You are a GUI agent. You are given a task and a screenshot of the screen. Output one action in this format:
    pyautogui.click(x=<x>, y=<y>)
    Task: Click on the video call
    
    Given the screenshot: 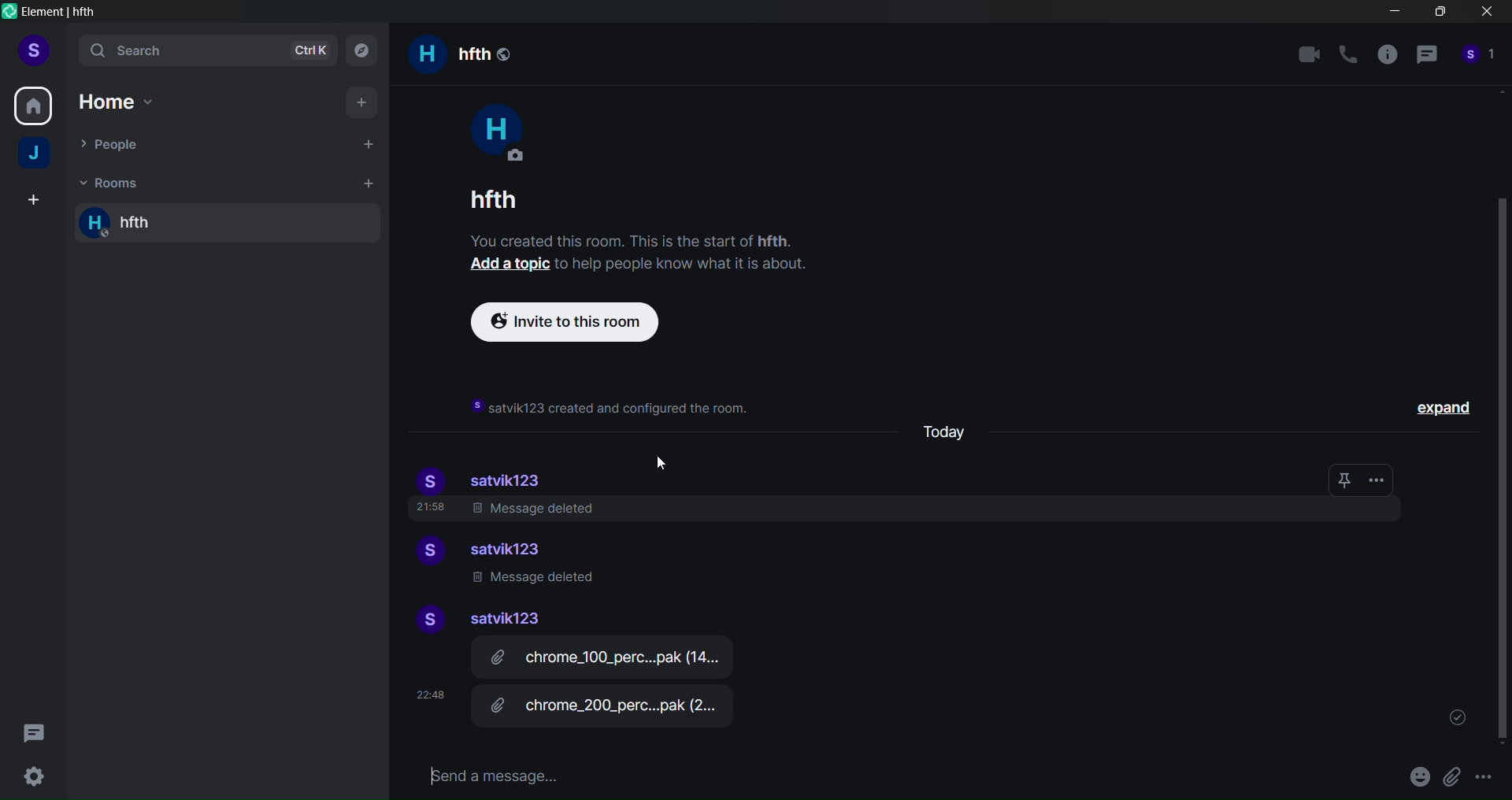 What is the action you would take?
    pyautogui.click(x=1309, y=54)
    